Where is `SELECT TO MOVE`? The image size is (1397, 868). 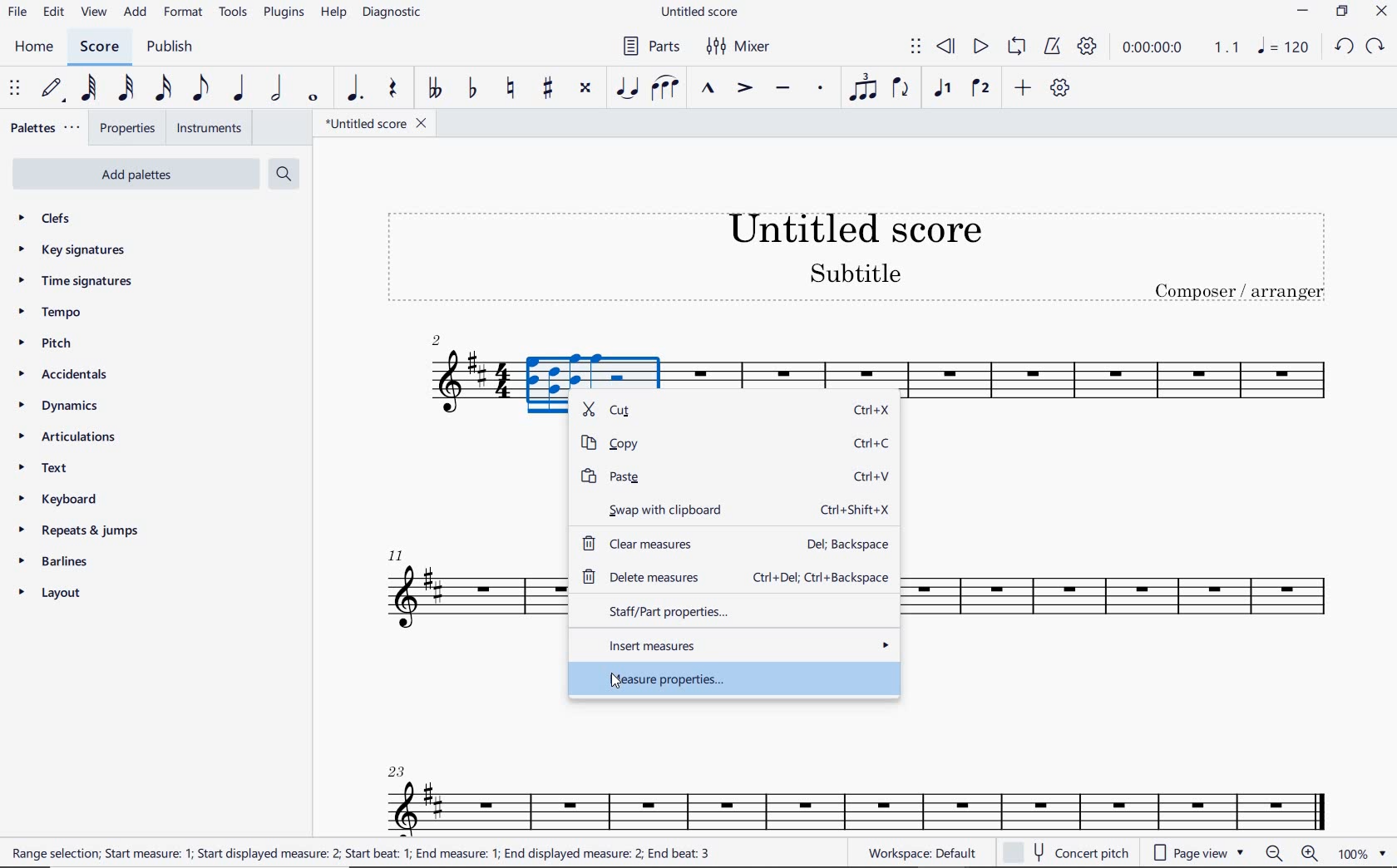 SELECT TO MOVE is located at coordinates (916, 47).